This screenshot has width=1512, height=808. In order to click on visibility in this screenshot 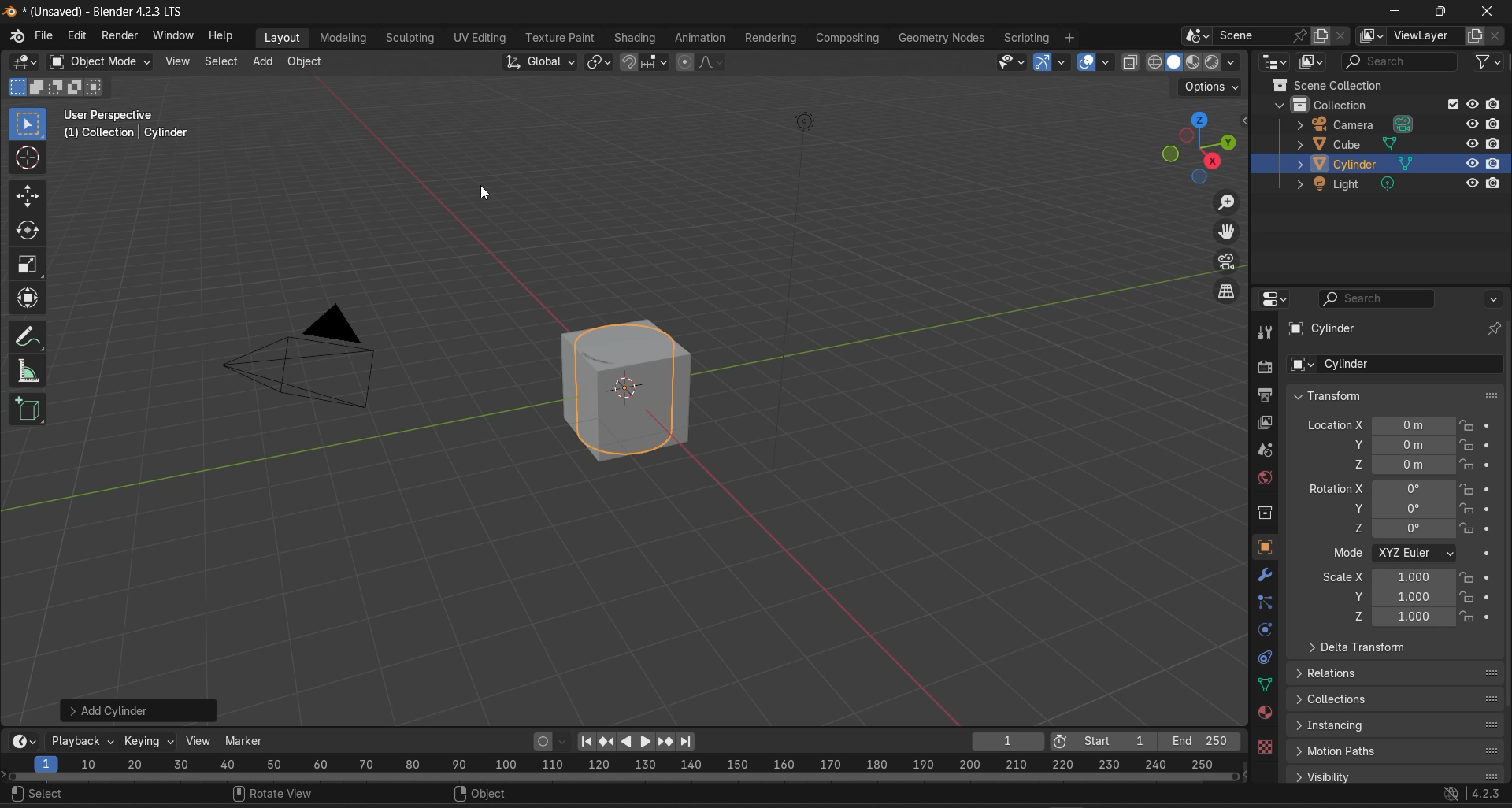, I will do `click(1395, 775)`.